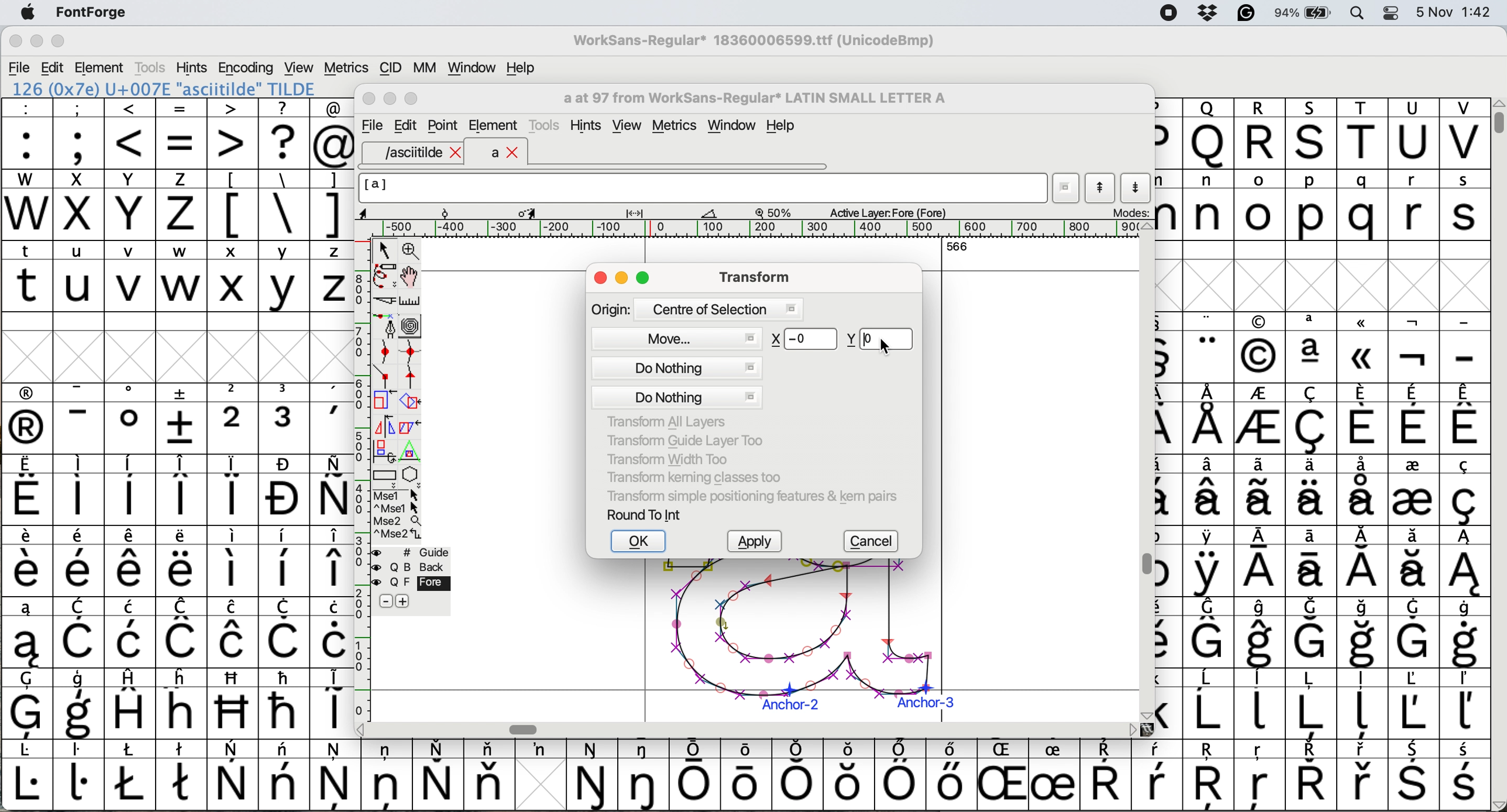 The image size is (1507, 812). Describe the element at coordinates (1364, 562) in the screenshot. I see `symbol` at that location.